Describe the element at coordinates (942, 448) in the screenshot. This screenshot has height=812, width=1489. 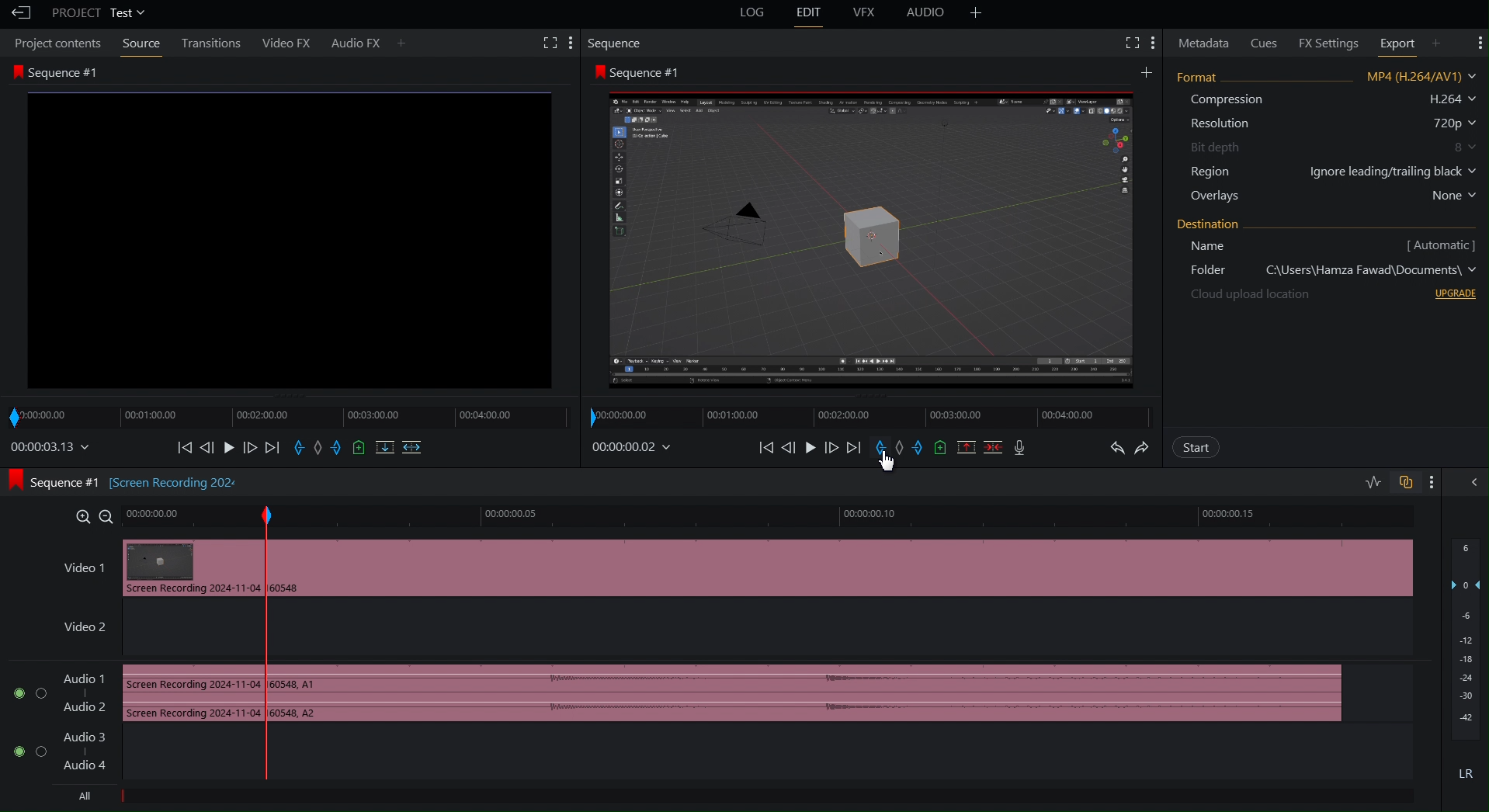
I see `Cue` at that location.